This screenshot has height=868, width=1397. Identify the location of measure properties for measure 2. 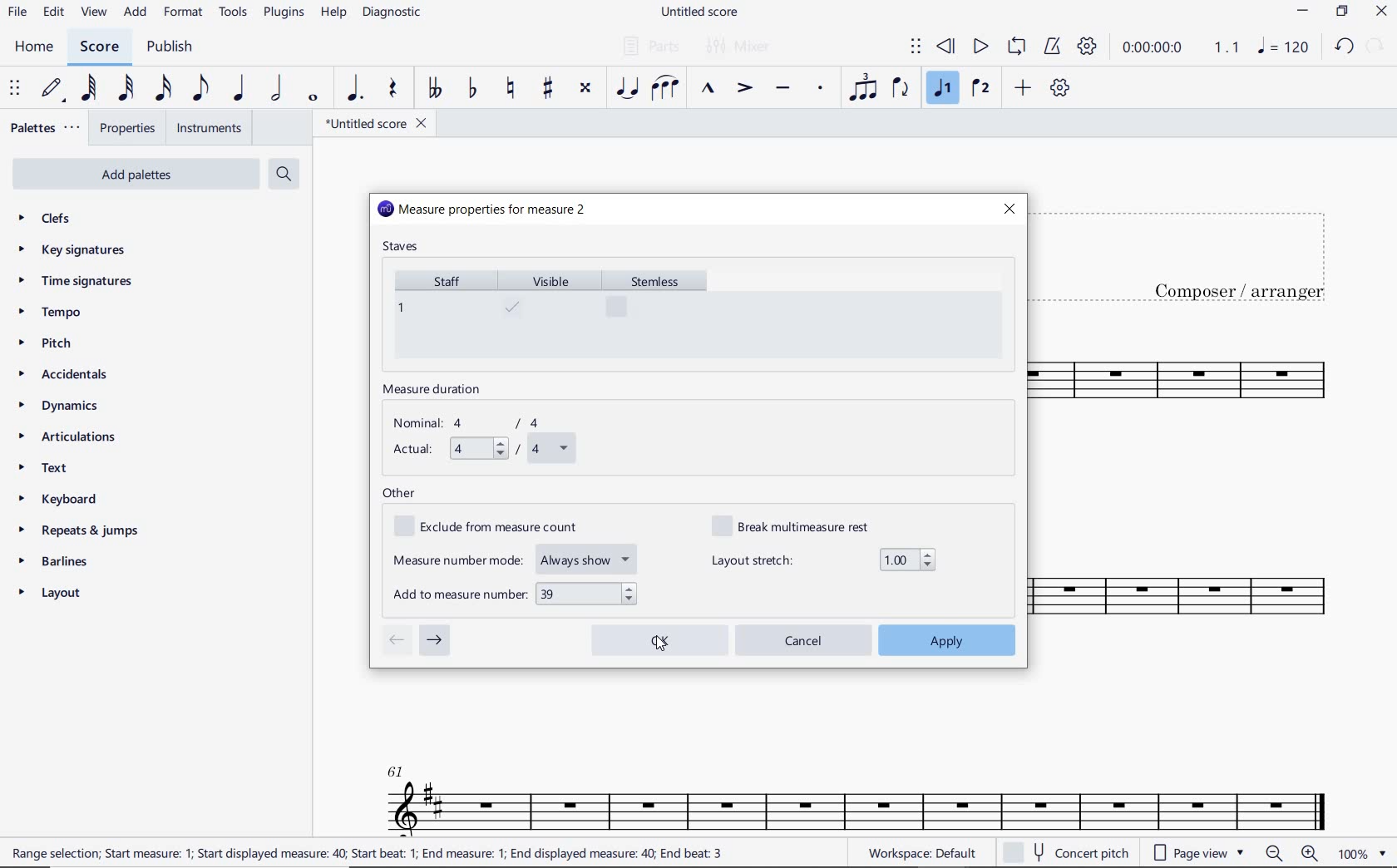
(483, 210).